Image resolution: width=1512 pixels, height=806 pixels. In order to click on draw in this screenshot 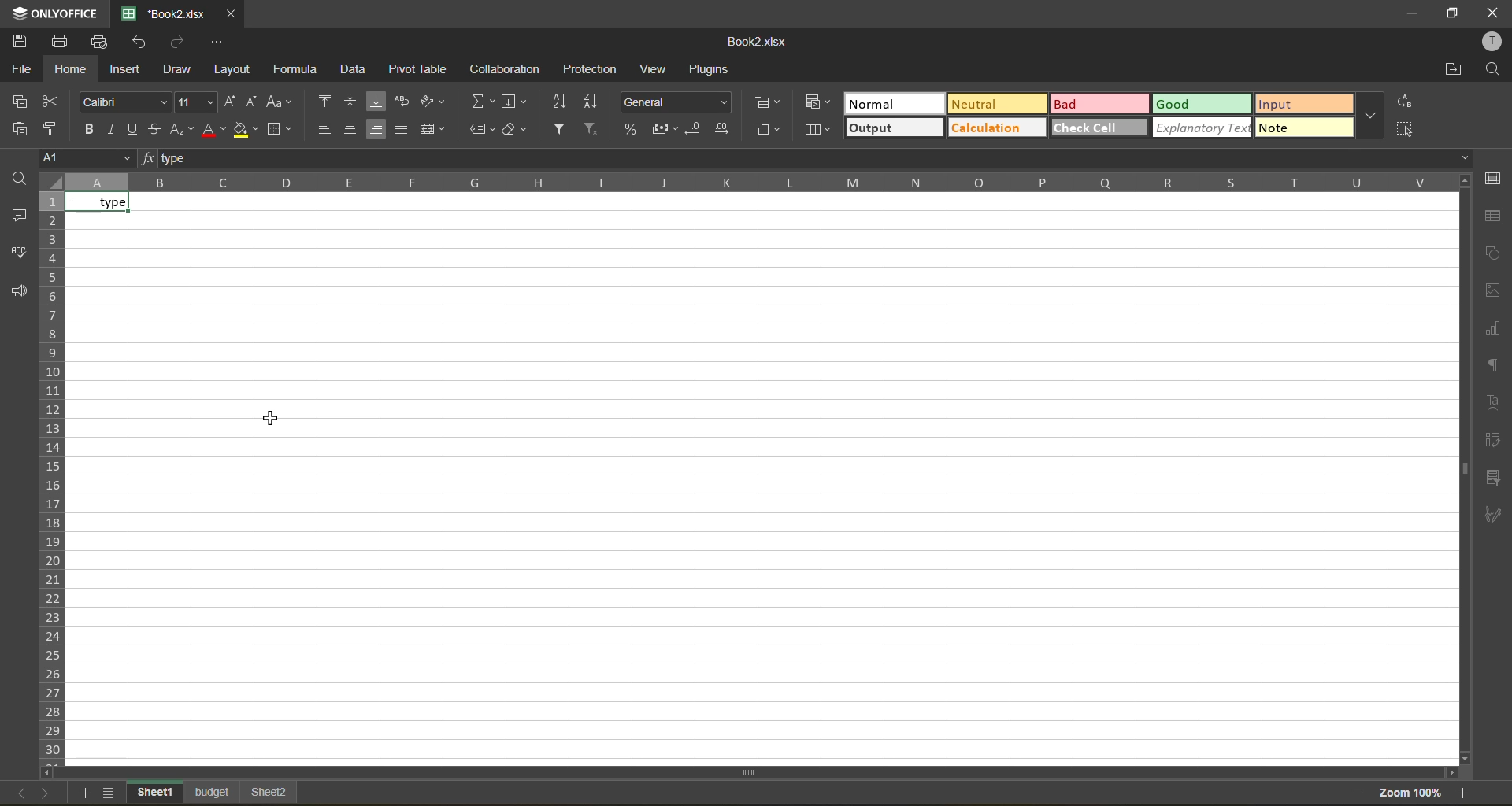, I will do `click(183, 70)`.